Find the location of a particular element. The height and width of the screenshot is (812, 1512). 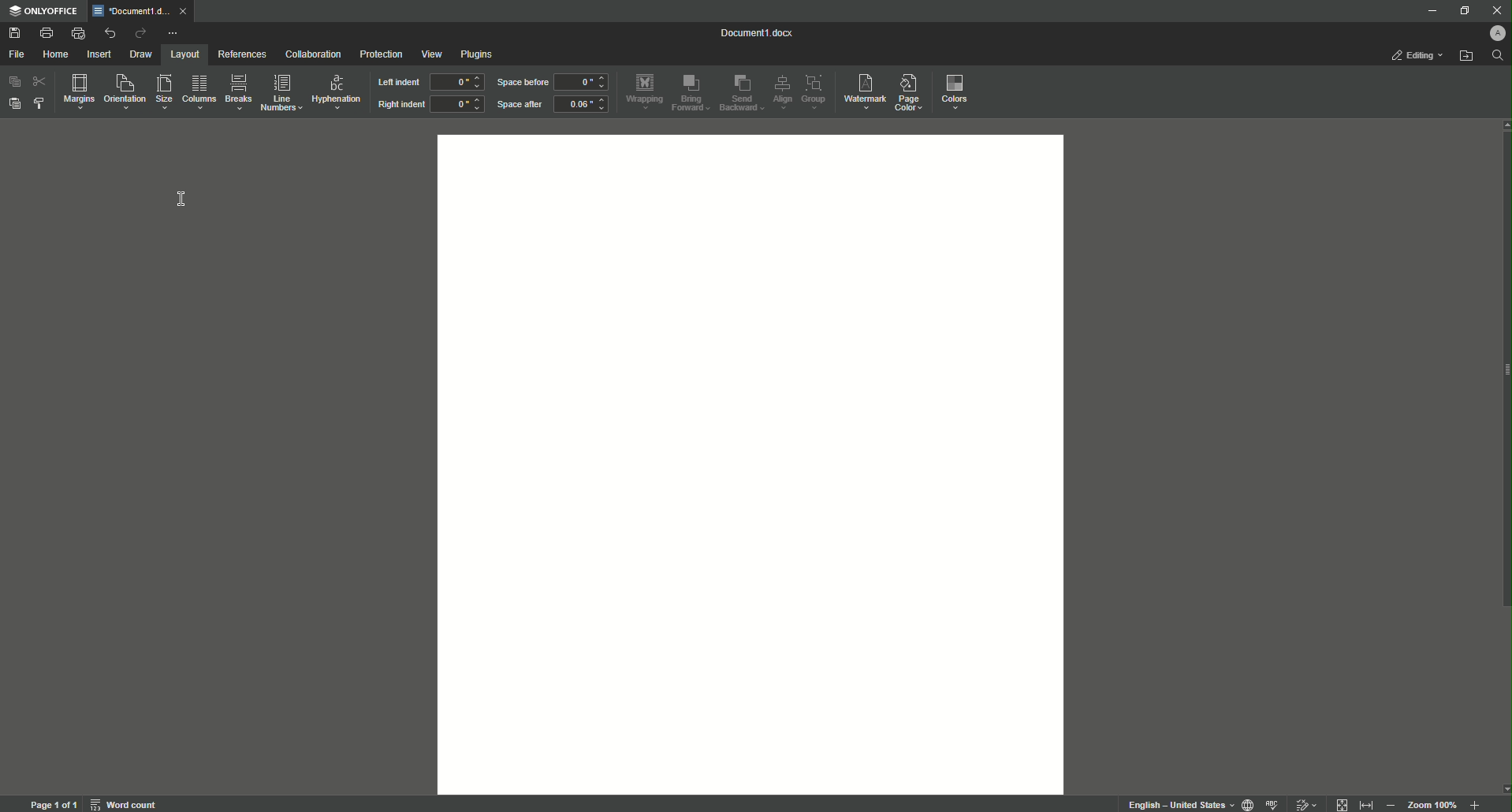

Right indent is located at coordinates (400, 105).